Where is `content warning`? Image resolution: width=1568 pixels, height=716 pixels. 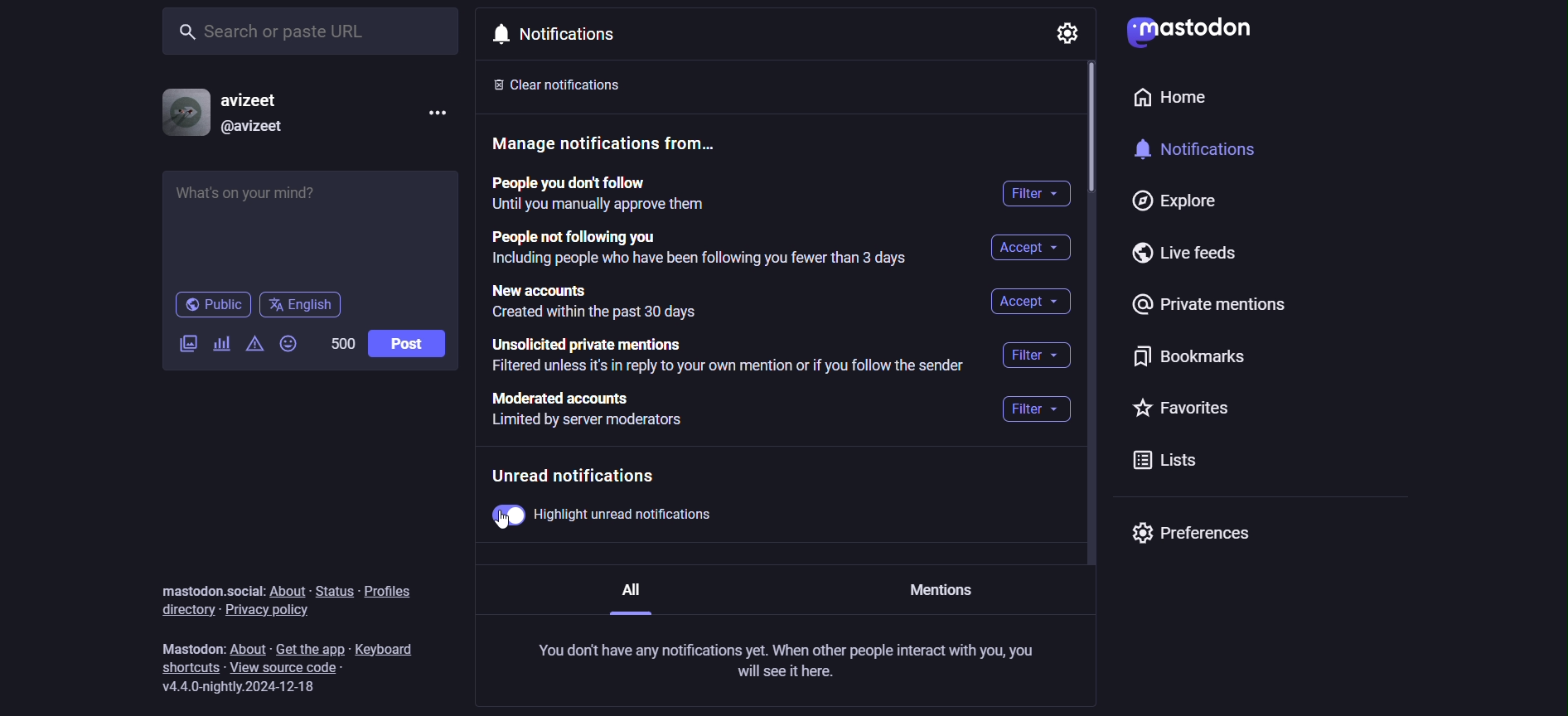
content warning is located at coordinates (255, 350).